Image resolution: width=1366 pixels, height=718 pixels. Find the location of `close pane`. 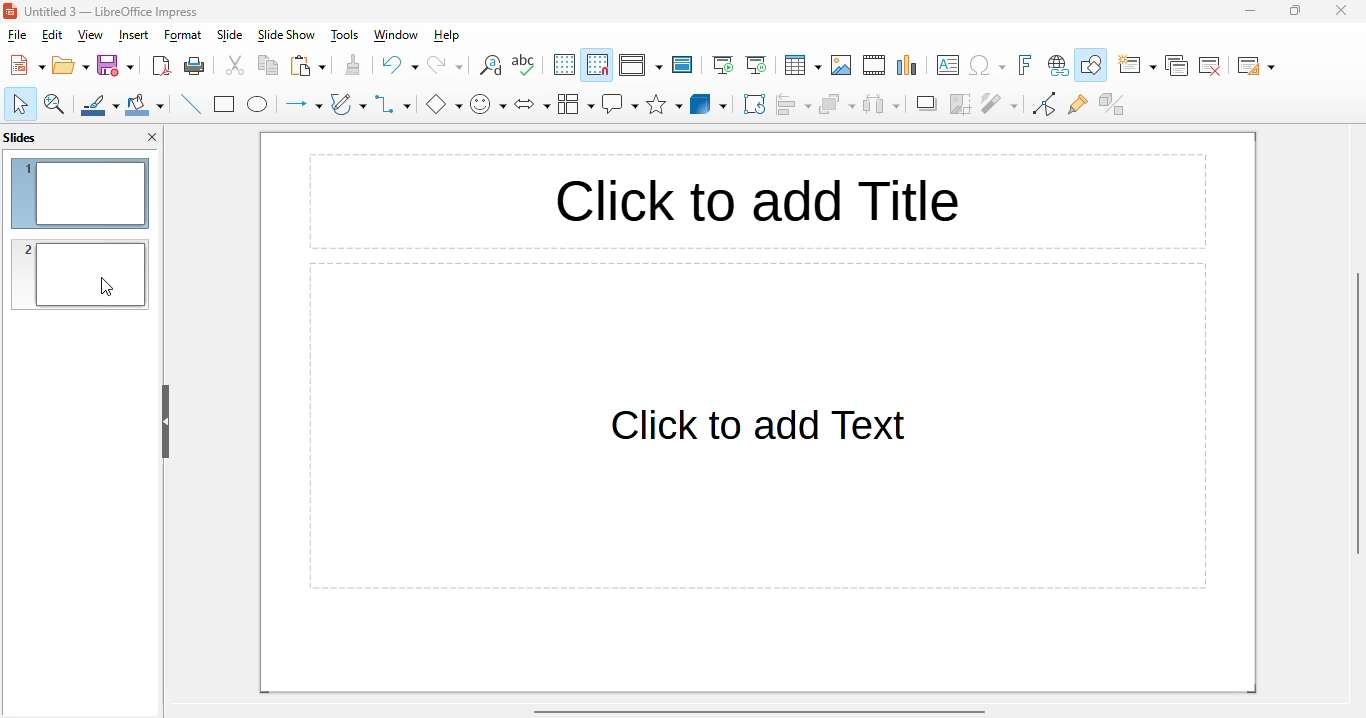

close pane is located at coordinates (154, 136).